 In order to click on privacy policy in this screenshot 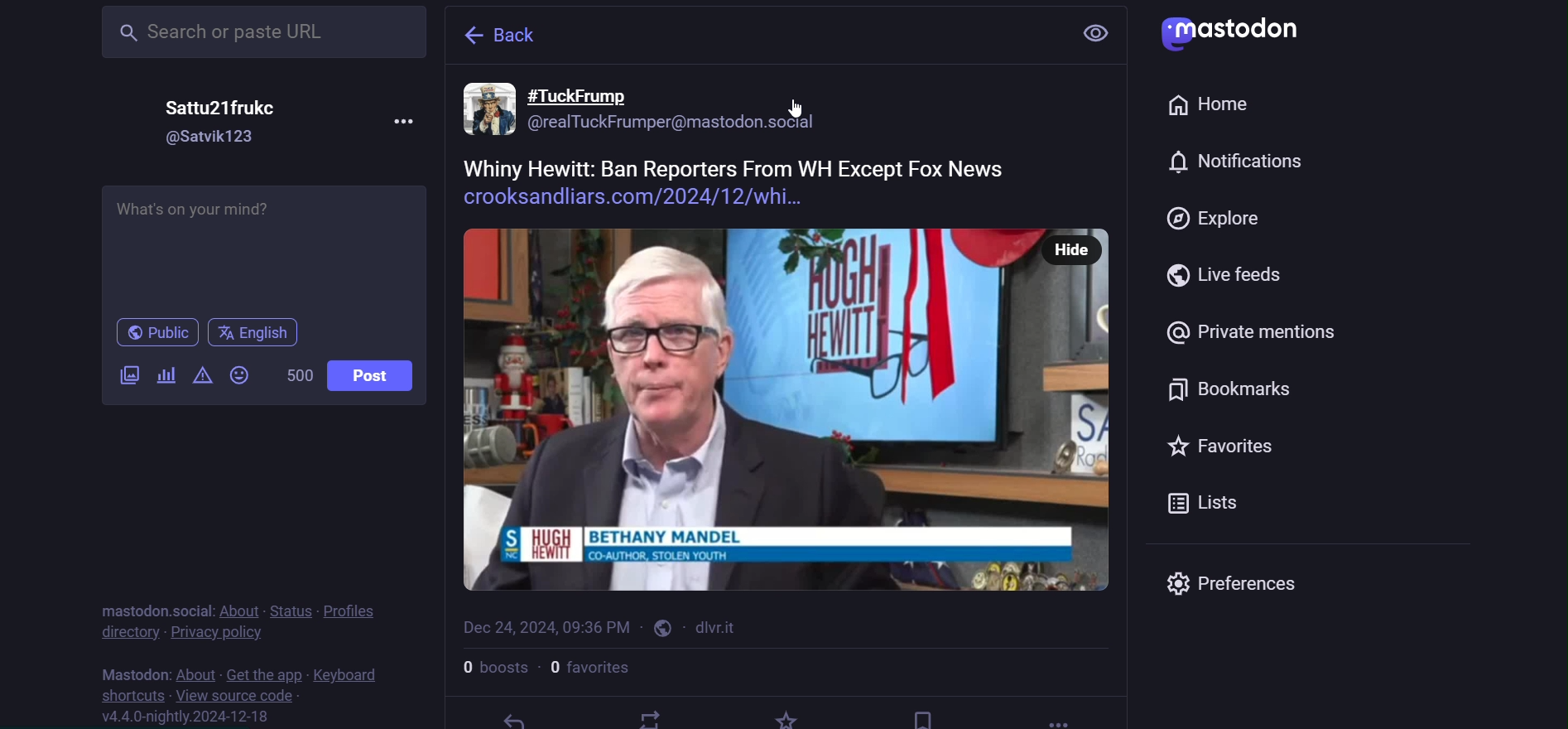, I will do `click(214, 634)`.